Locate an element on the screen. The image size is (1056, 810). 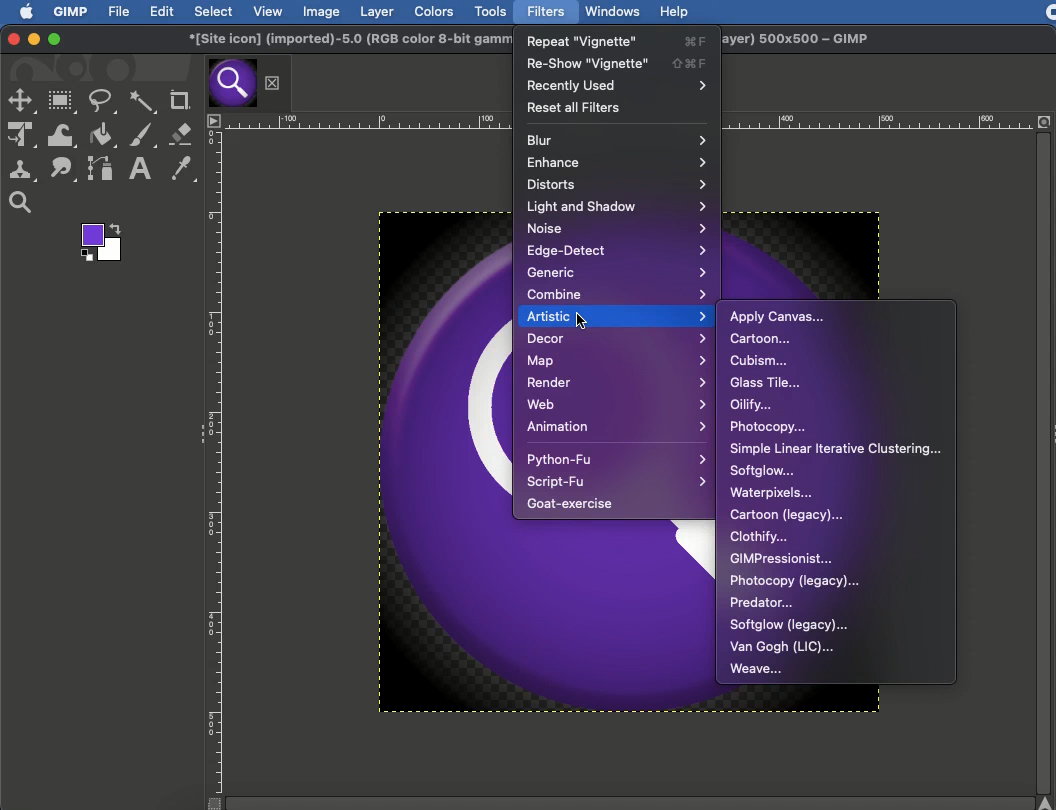
Light and shadow is located at coordinates (617, 207).